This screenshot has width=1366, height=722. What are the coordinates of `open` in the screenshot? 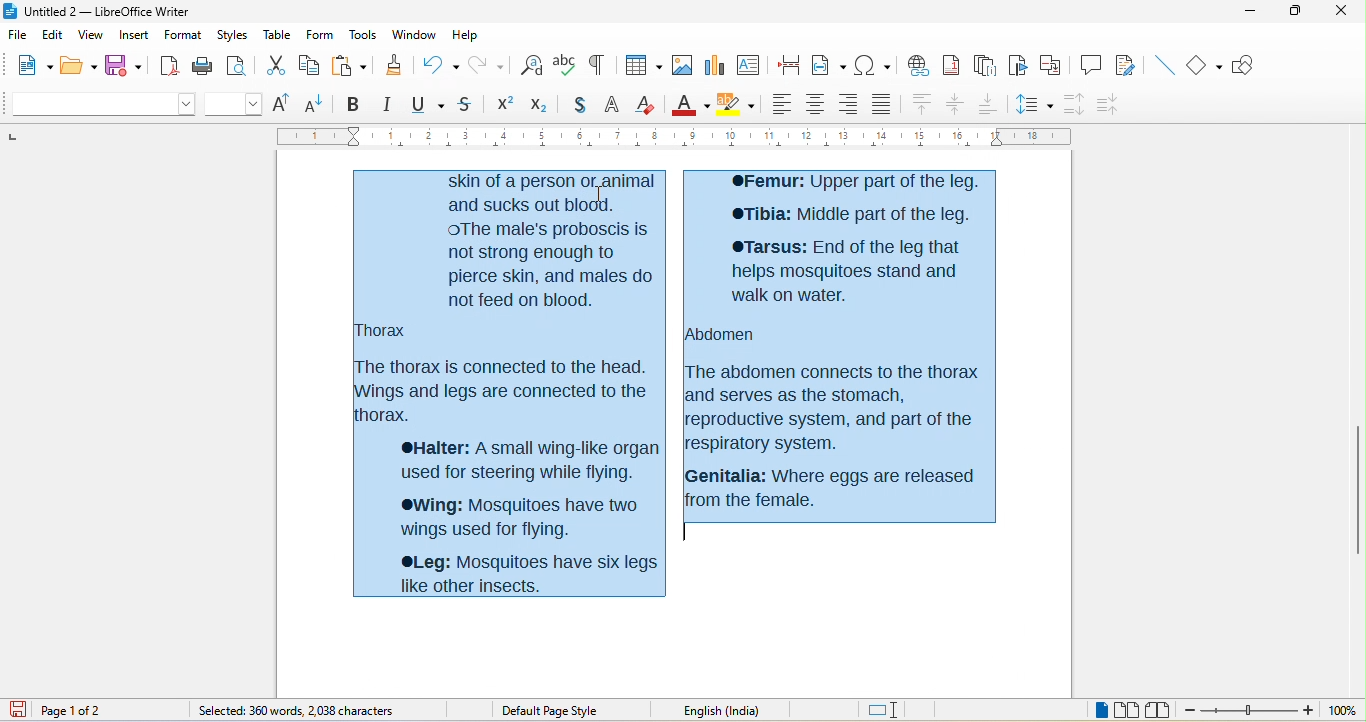 It's located at (78, 64).